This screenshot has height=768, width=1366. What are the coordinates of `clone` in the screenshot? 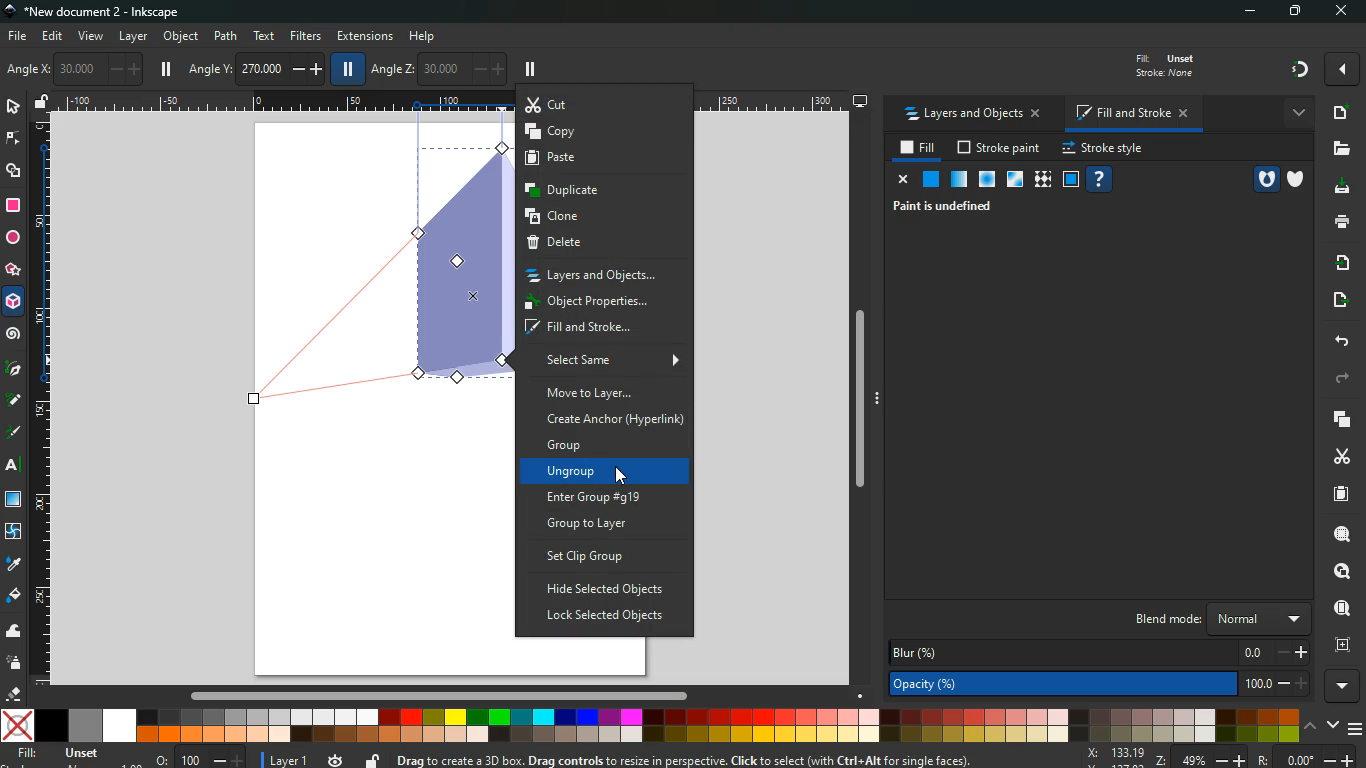 It's located at (604, 216).